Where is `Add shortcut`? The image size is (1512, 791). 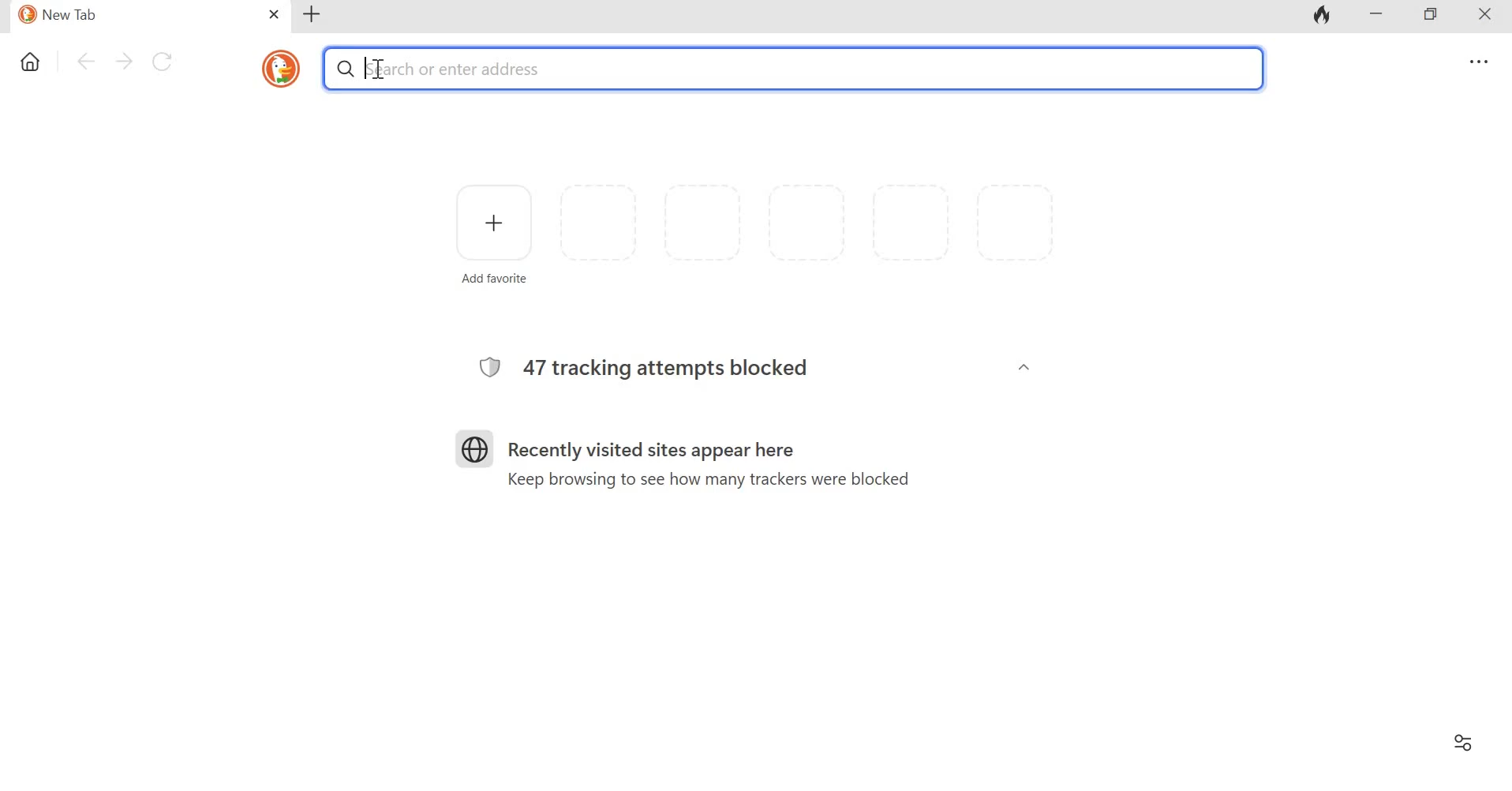
Add shortcut is located at coordinates (494, 232).